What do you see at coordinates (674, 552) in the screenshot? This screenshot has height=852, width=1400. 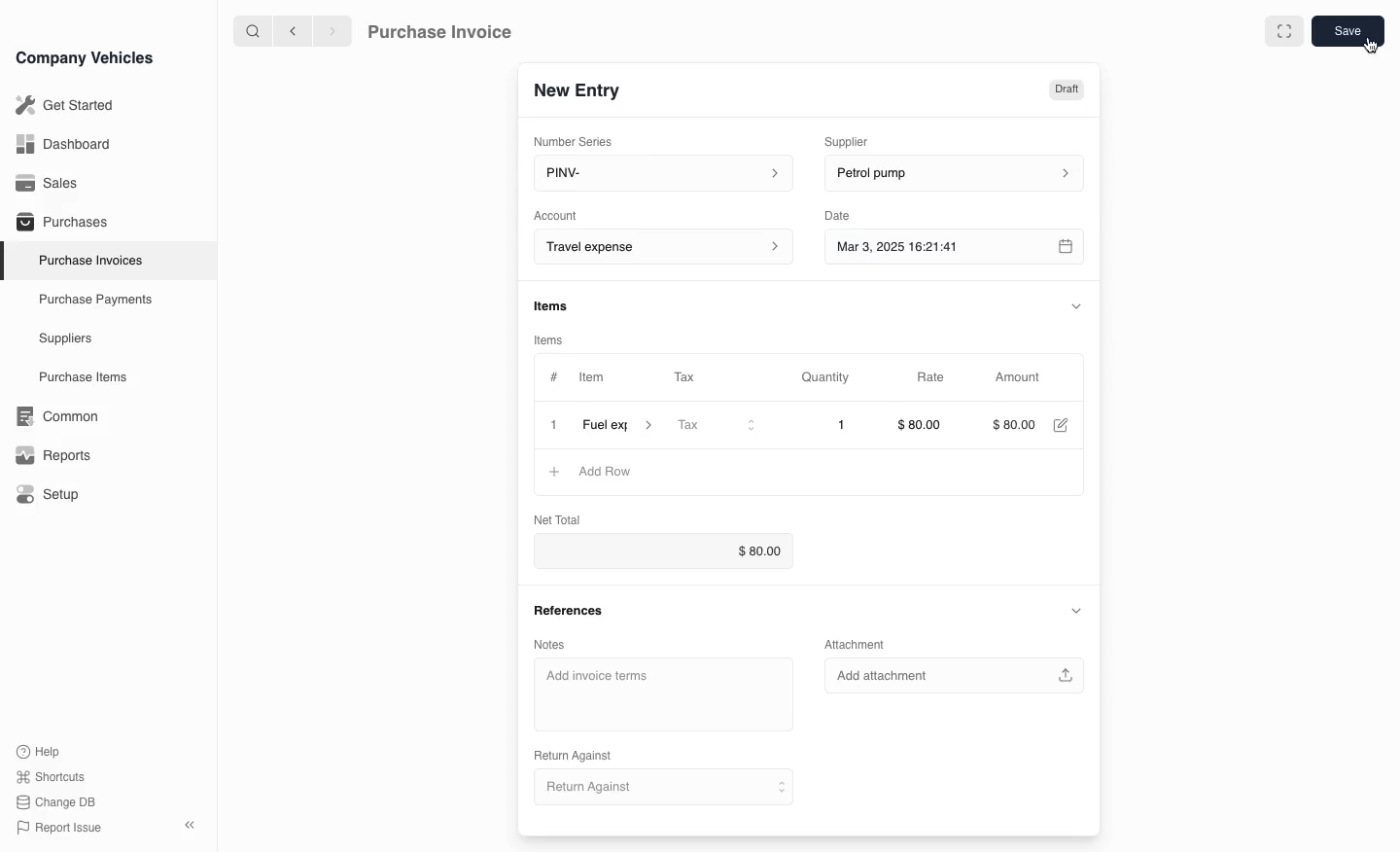 I see `$0.00` at bounding box center [674, 552].